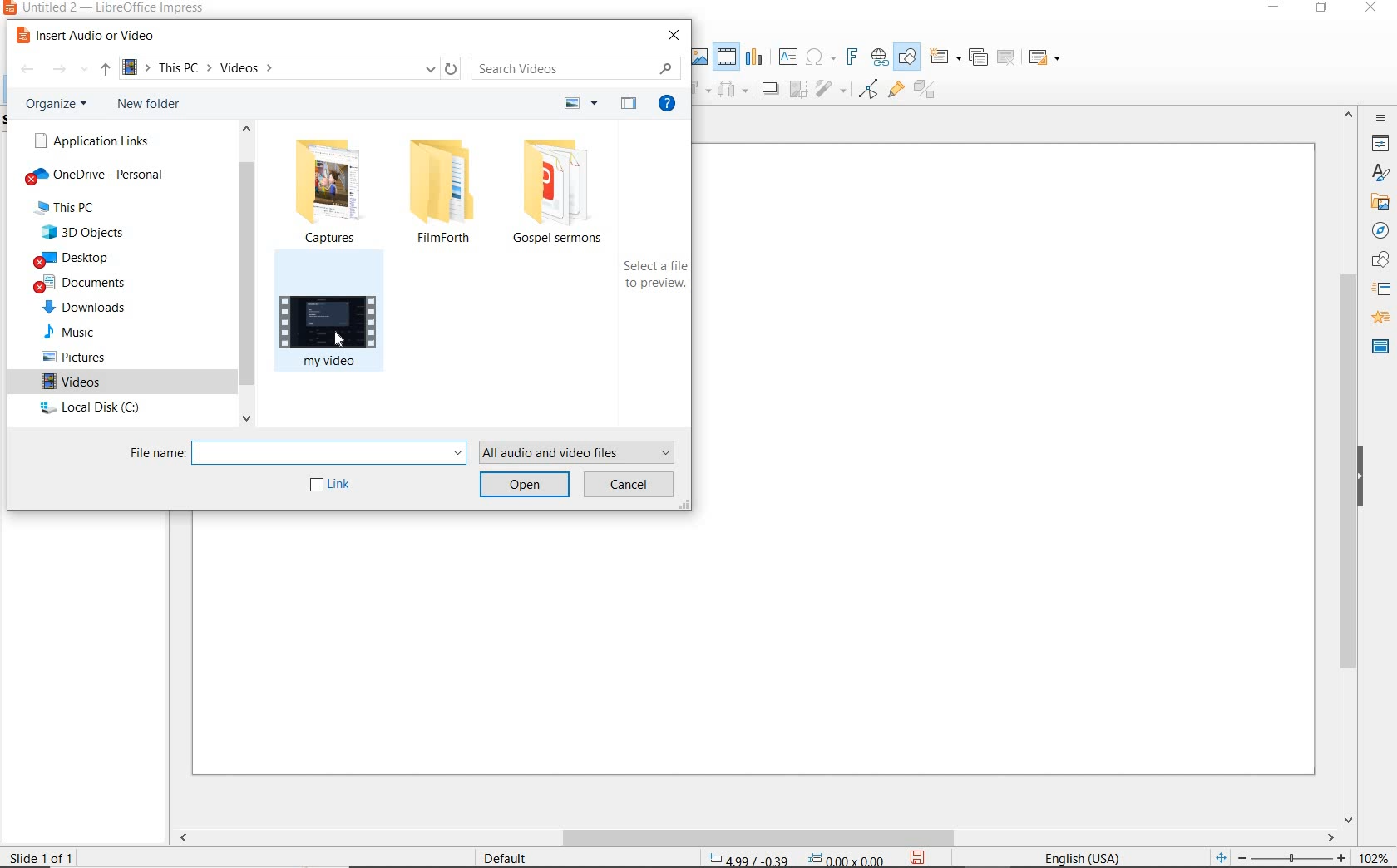 This screenshot has width=1397, height=868. Describe the element at coordinates (1007, 58) in the screenshot. I see `DELETE SLIDE` at that location.